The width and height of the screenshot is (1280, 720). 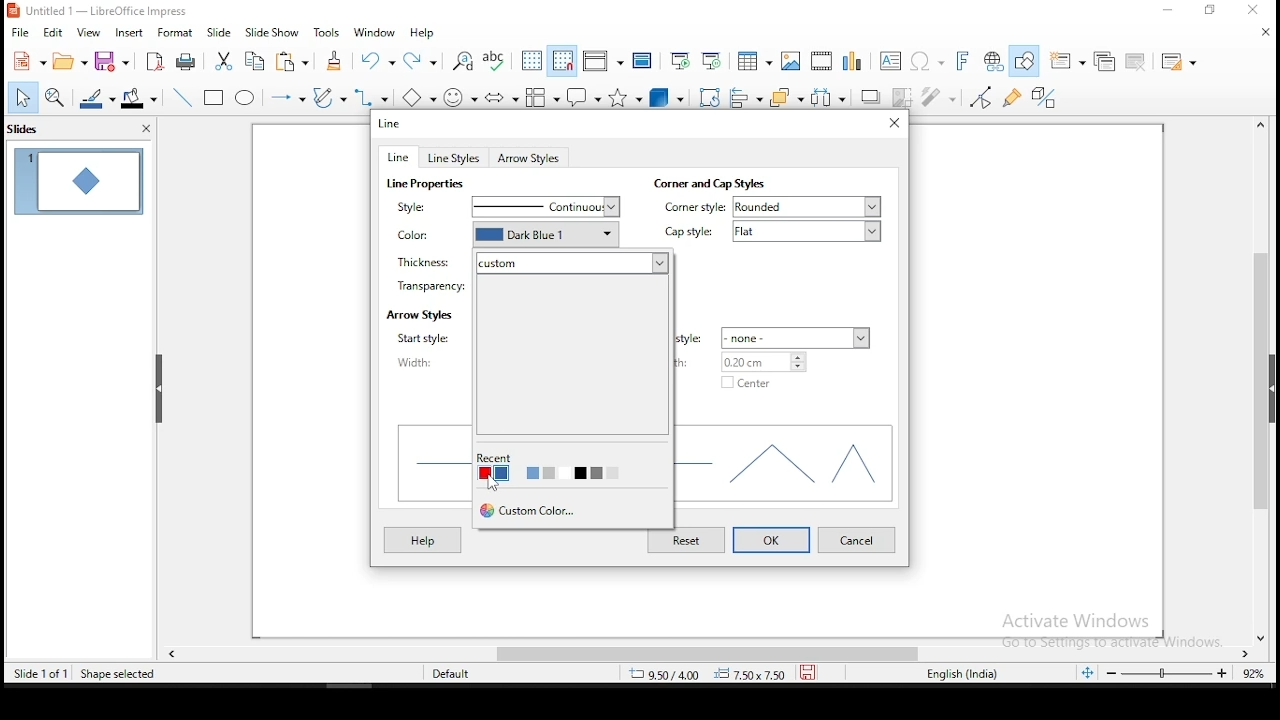 What do you see at coordinates (183, 97) in the screenshot?
I see `line` at bounding box center [183, 97].